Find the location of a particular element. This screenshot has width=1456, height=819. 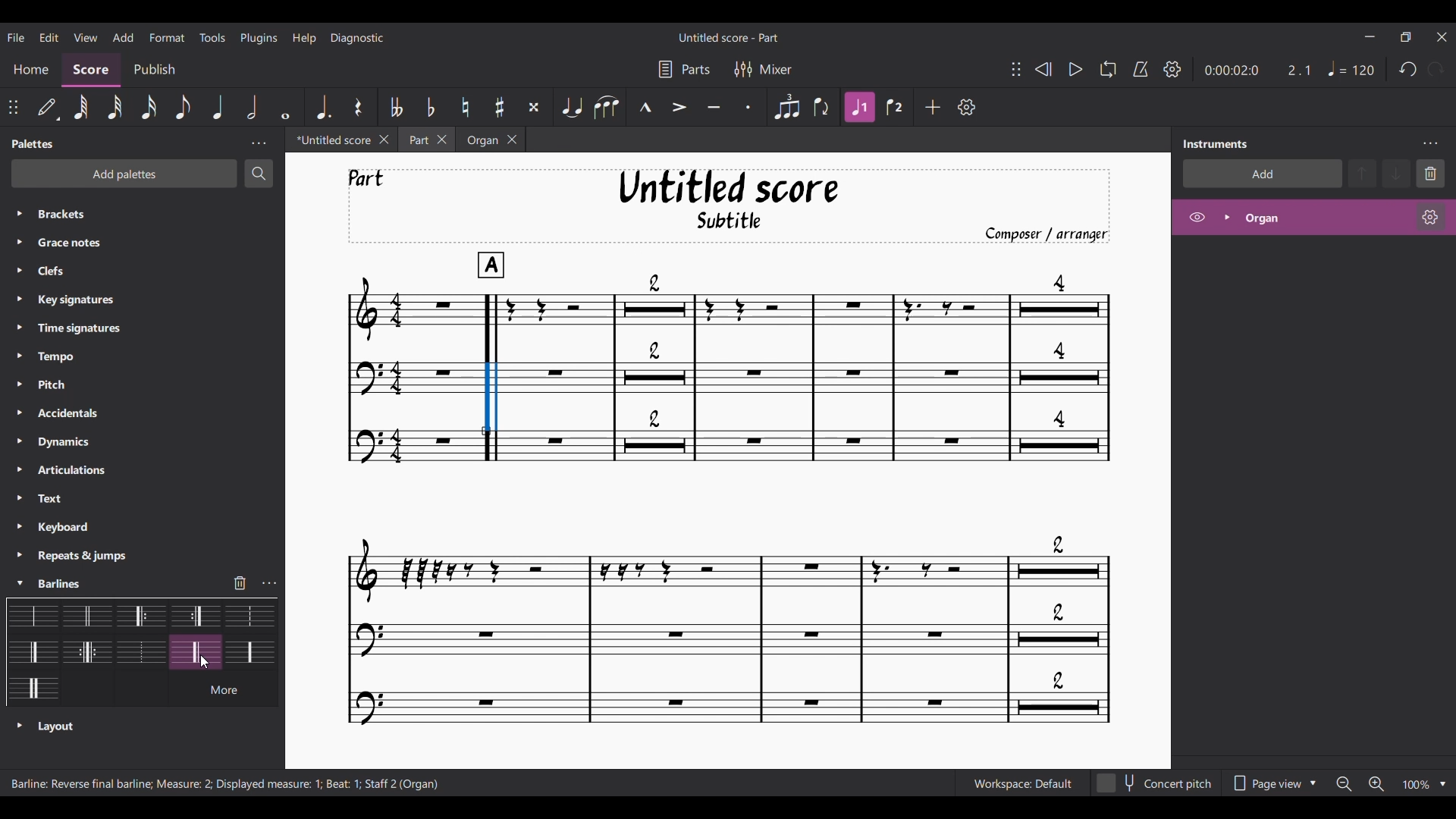

Part tab is located at coordinates (417, 140).